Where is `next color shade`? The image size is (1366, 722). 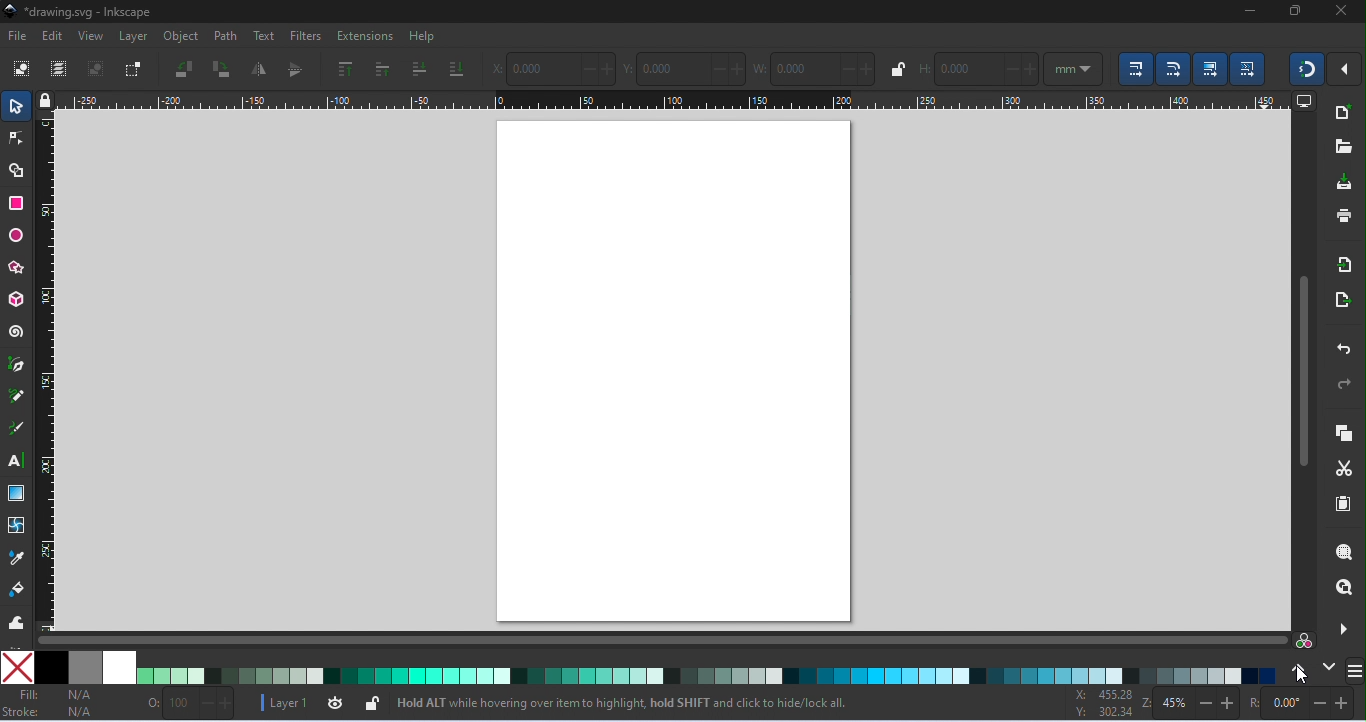 next color shade is located at coordinates (1328, 666).